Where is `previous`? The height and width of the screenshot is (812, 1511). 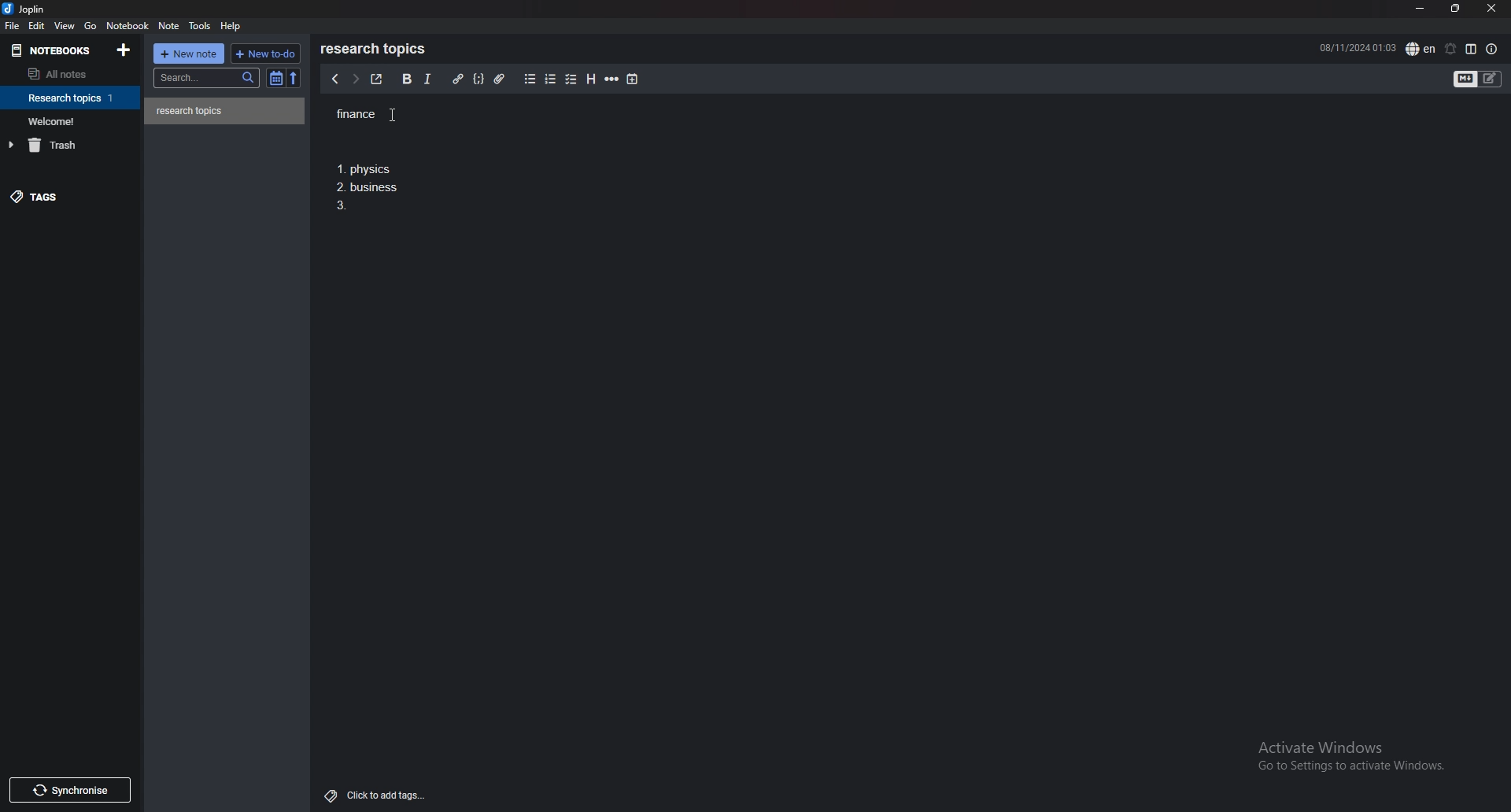 previous is located at coordinates (335, 80).